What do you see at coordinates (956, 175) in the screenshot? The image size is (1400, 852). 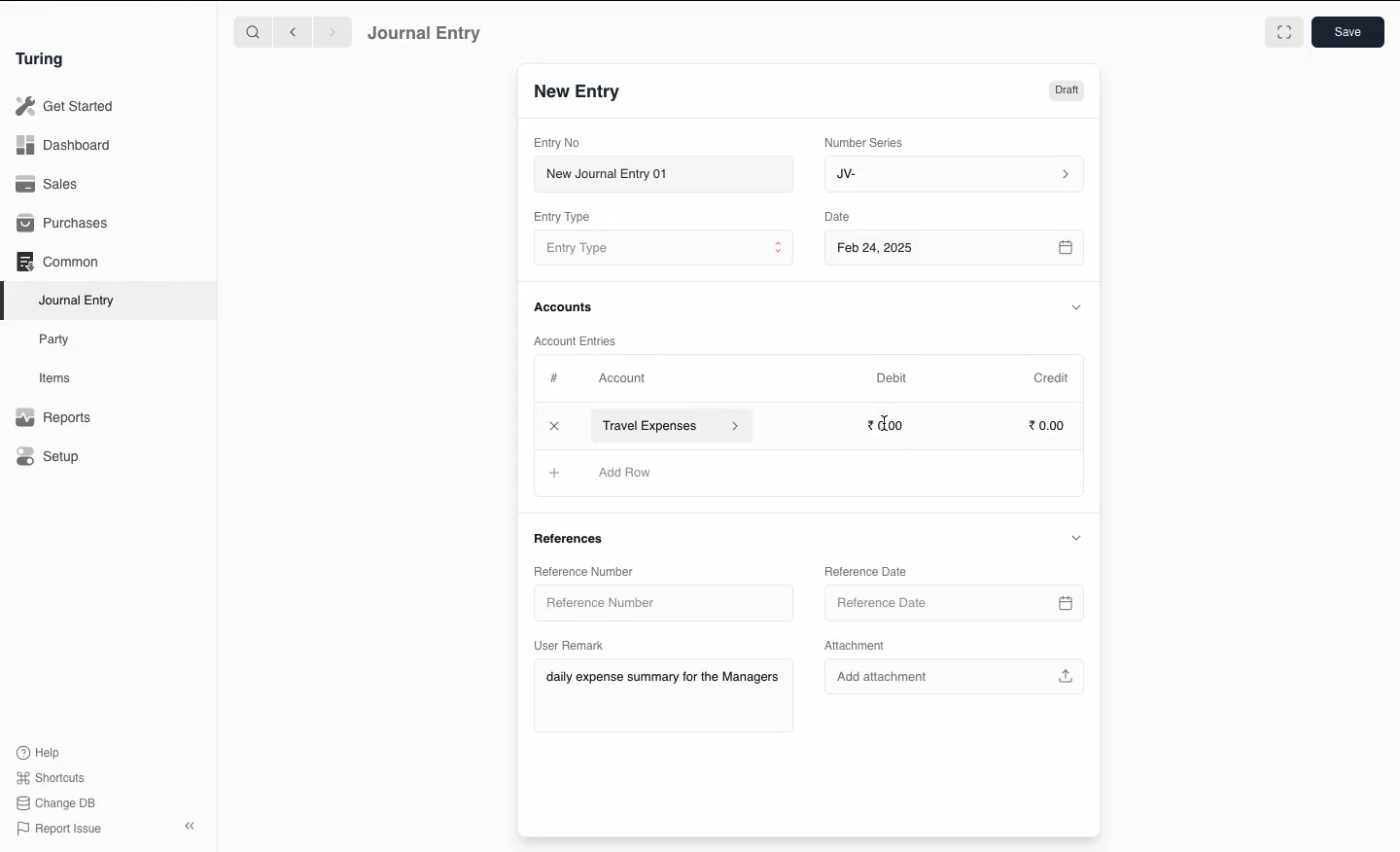 I see `JV-` at bounding box center [956, 175].